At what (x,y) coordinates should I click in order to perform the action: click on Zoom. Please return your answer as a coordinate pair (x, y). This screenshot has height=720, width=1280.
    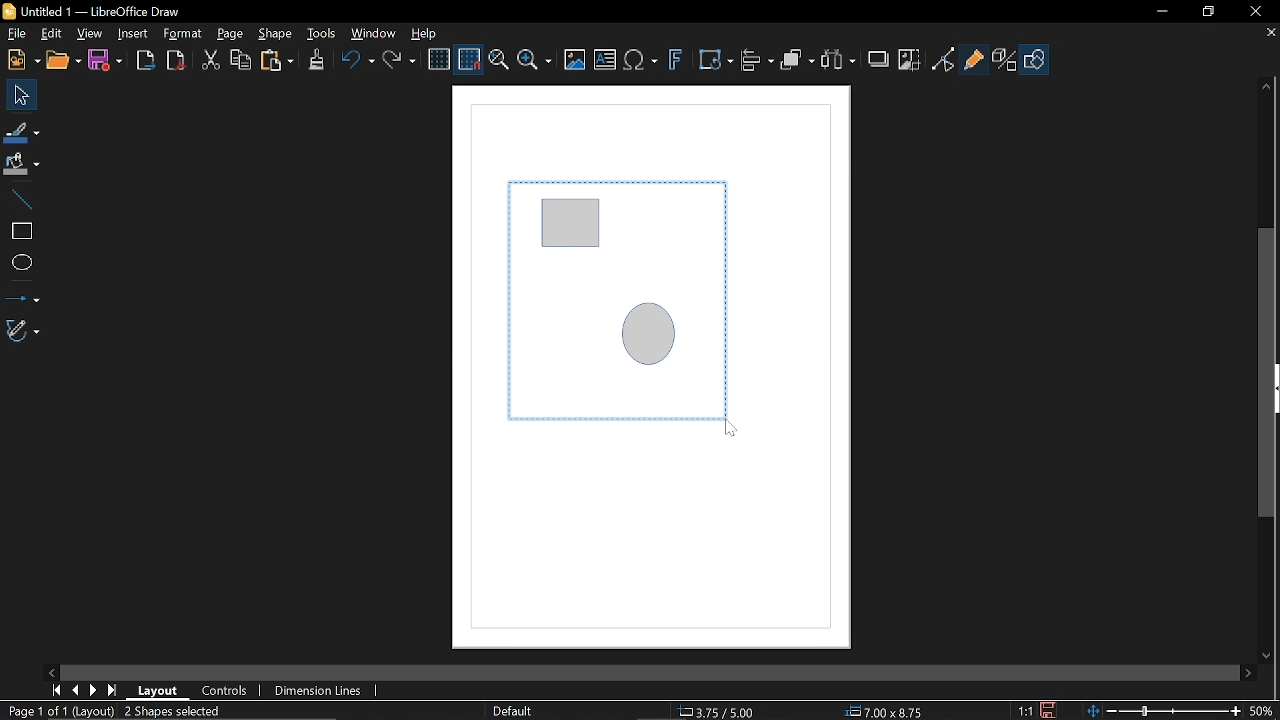
    Looking at the image, I should click on (537, 62).